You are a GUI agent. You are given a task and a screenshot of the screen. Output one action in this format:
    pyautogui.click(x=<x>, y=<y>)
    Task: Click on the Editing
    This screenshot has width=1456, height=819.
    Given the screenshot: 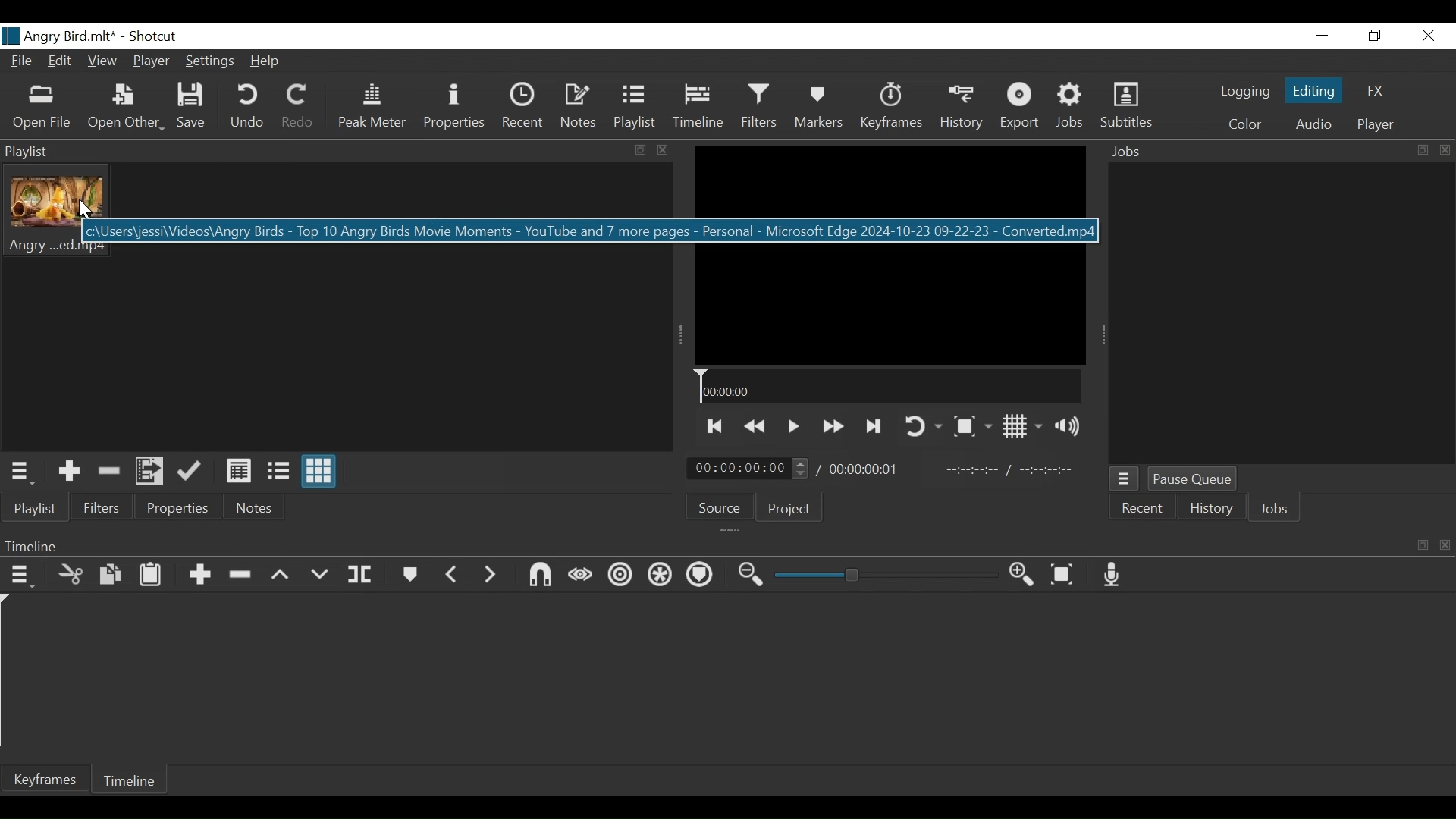 What is the action you would take?
    pyautogui.click(x=1313, y=89)
    